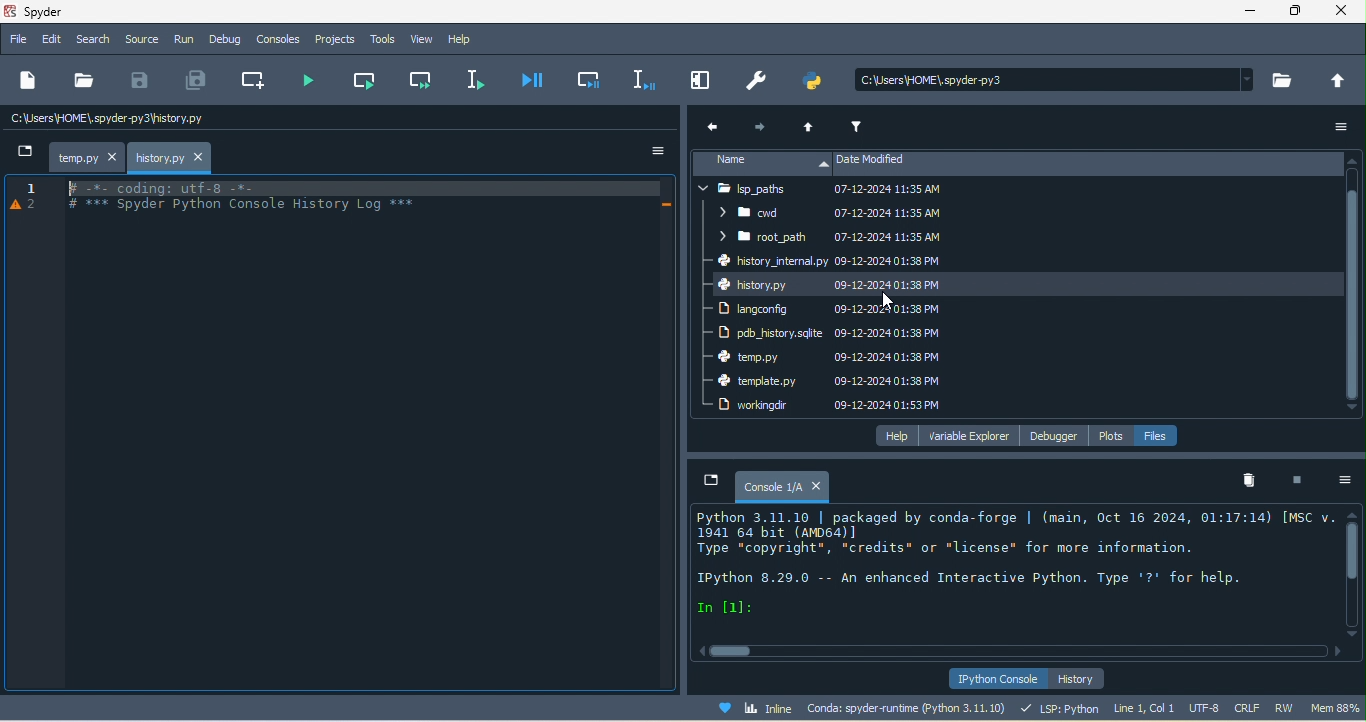 The height and width of the screenshot is (722, 1366). What do you see at coordinates (388, 38) in the screenshot?
I see `tools` at bounding box center [388, 38].